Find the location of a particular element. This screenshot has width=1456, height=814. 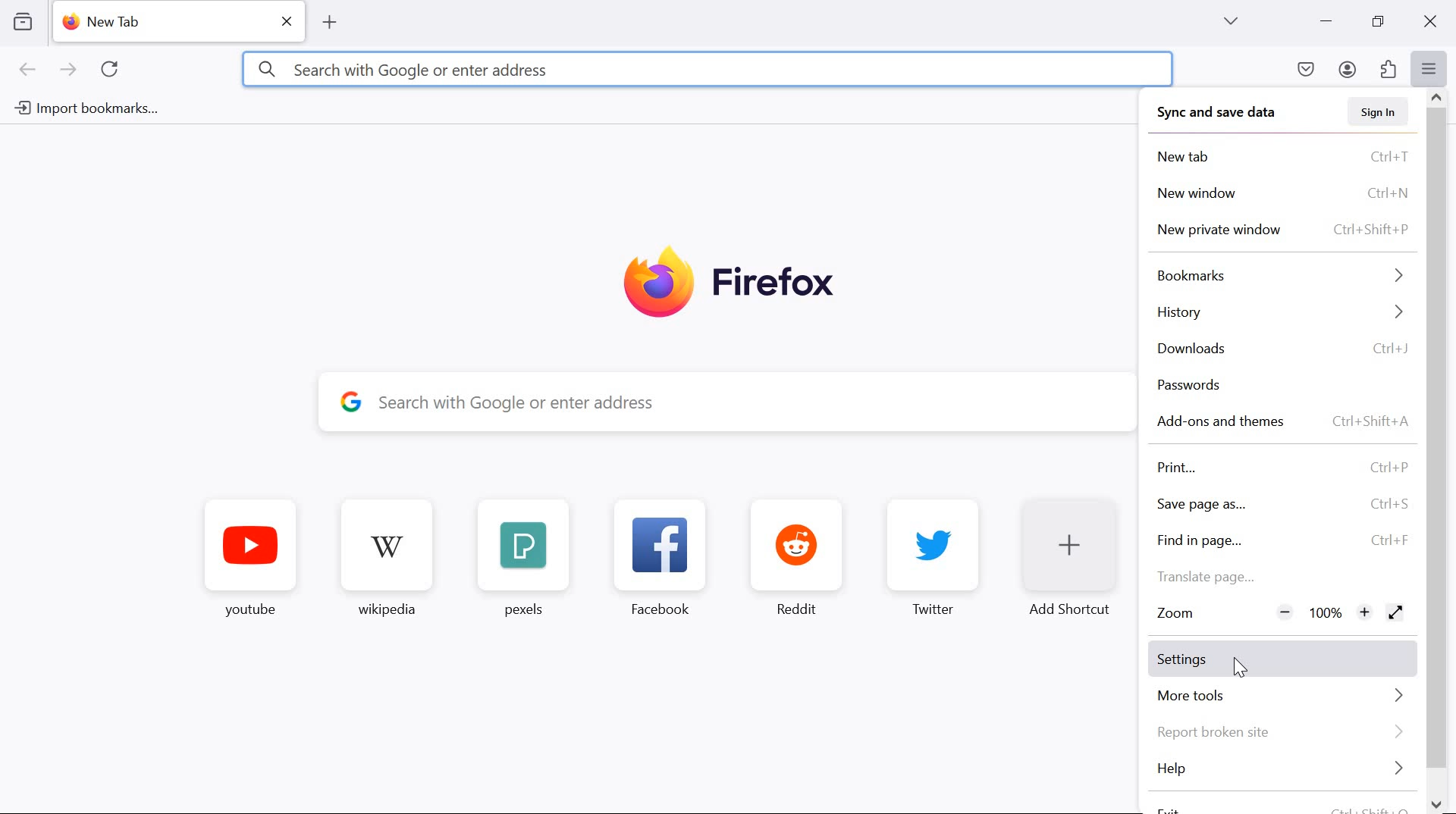

add-ons and themes is located at coordinates (1284, 419).